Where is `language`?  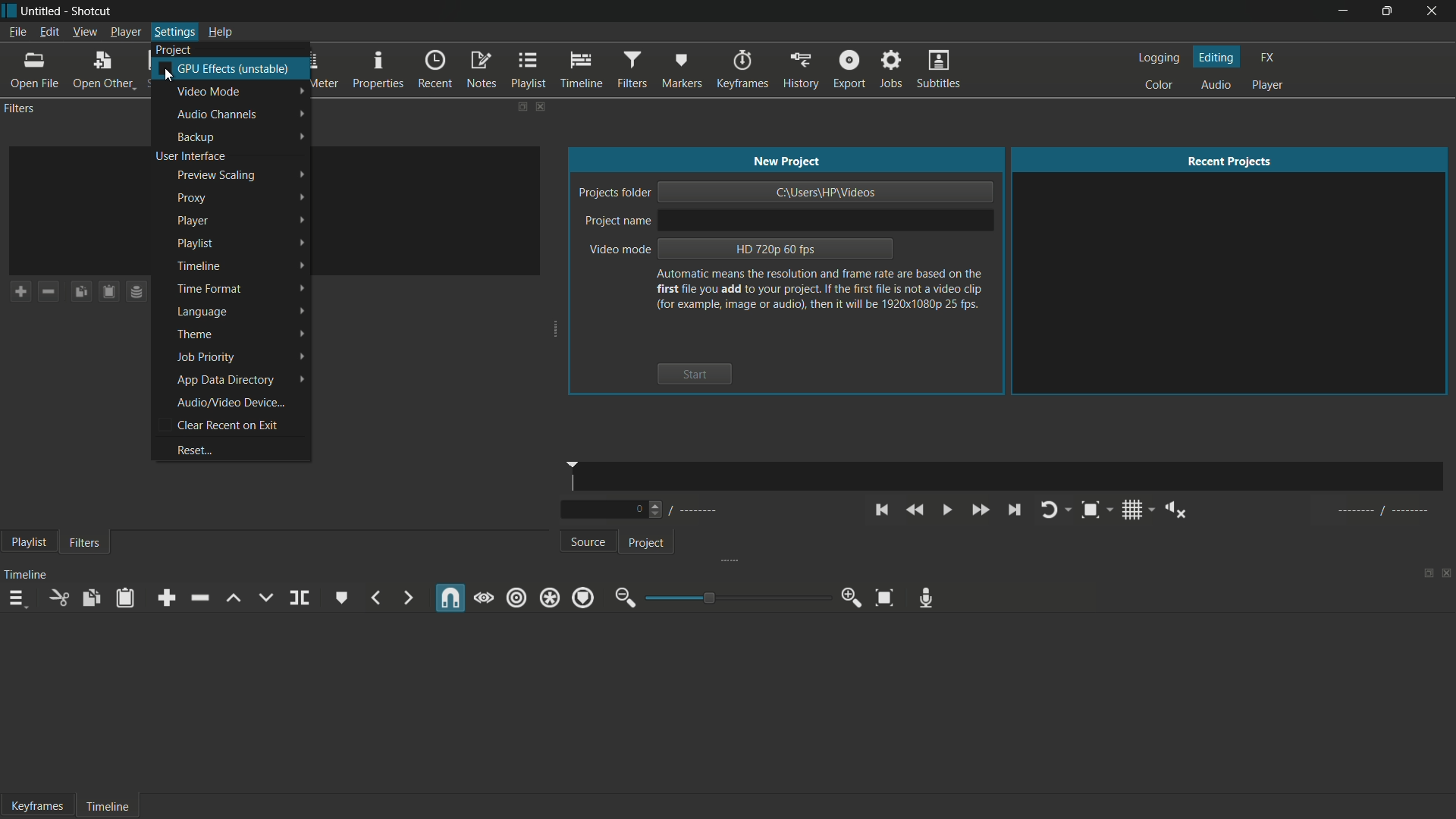
language is located at coordinates (202, 313).